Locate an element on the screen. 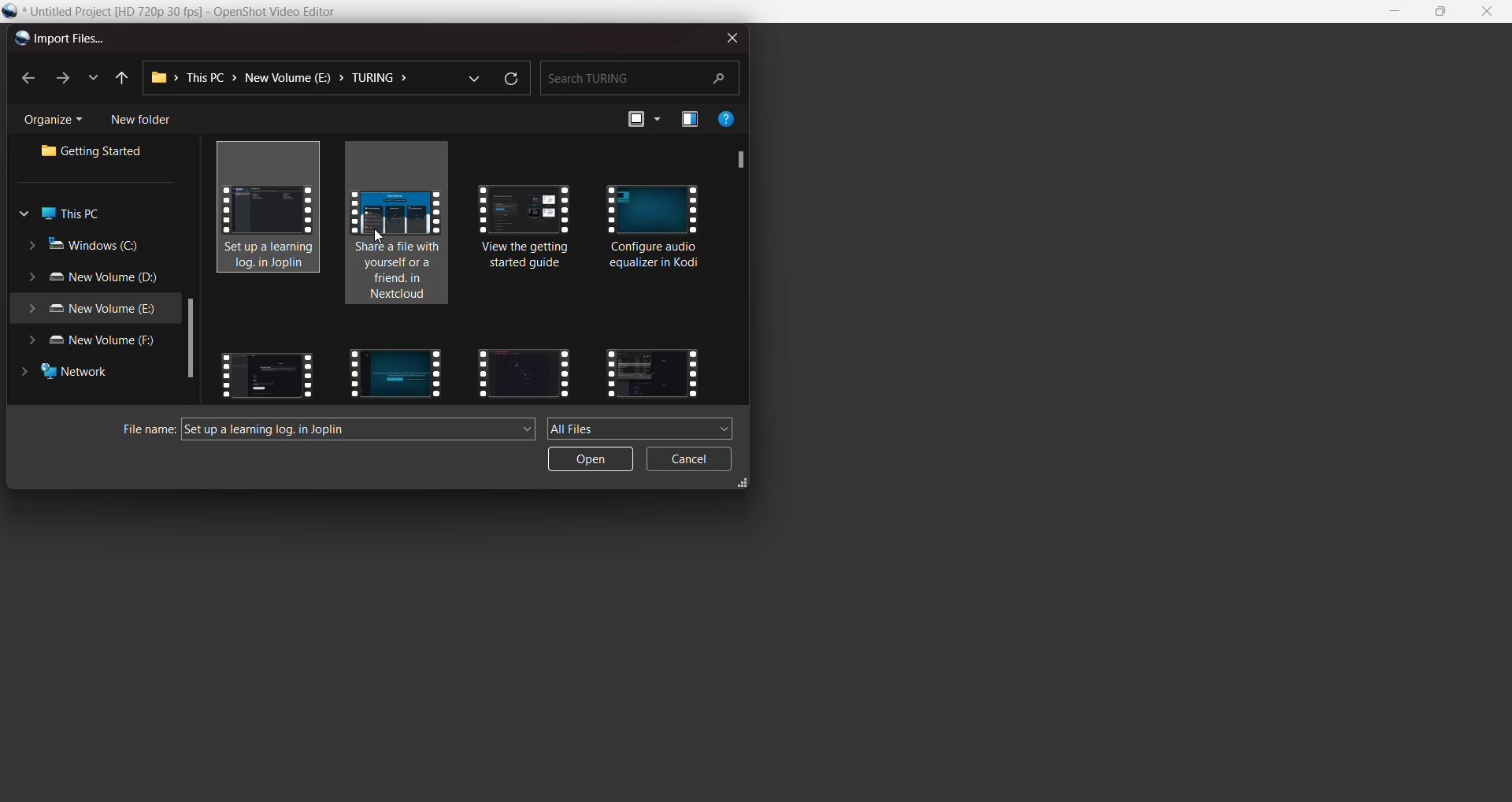 The width and height of the screenshot is (1512, 802). expand is located at coordinates (744, 485).